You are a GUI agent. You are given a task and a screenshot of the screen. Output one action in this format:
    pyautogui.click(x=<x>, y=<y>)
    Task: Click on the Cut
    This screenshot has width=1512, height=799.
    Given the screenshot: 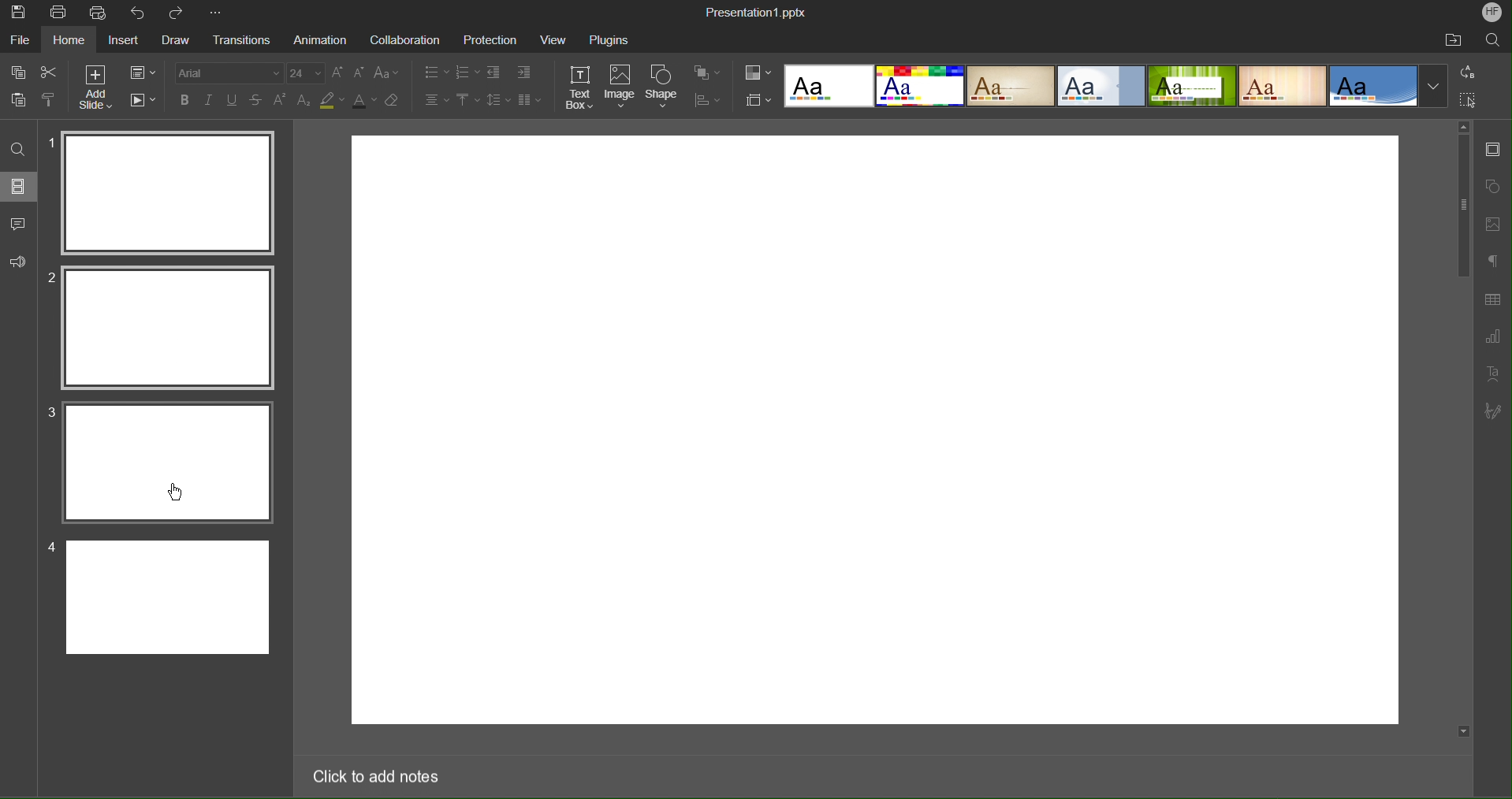 What is the action you would take?
    pyautogui.click(x=51, y=71)
    